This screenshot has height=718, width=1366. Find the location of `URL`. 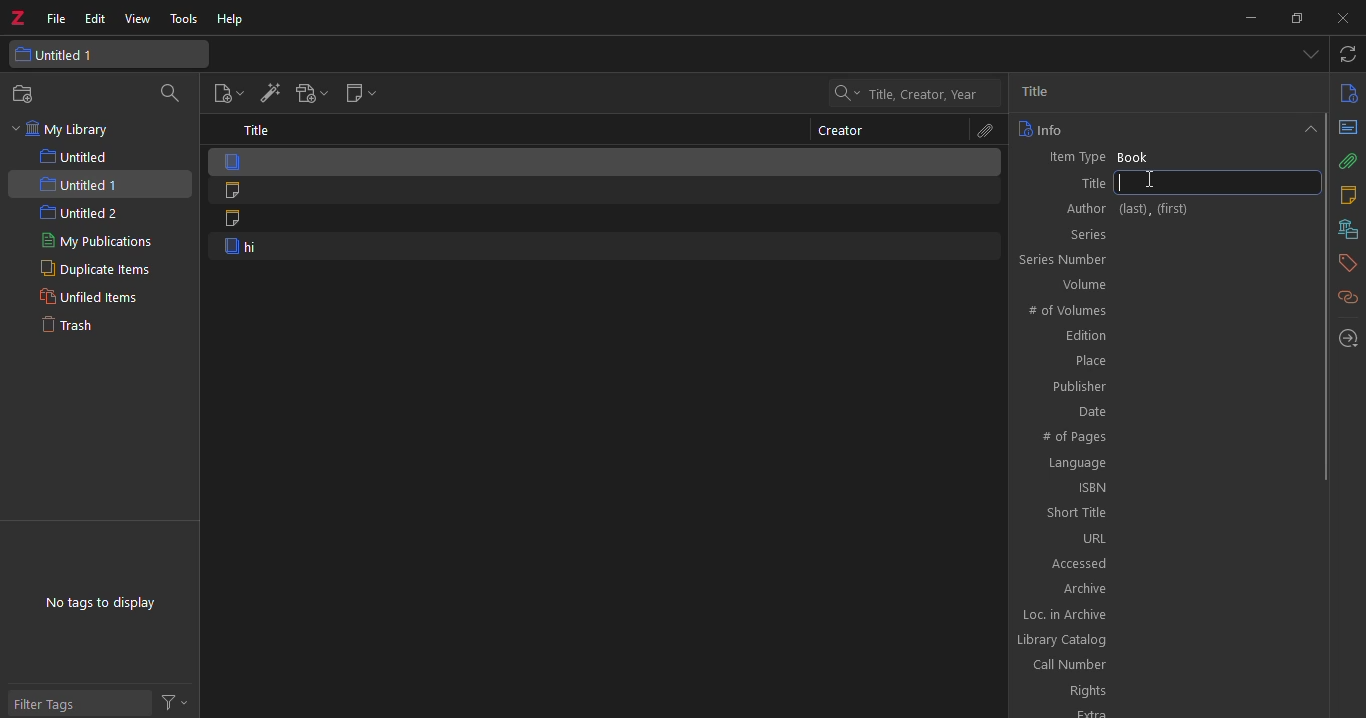

URL is located at coordinates (1165, 538).